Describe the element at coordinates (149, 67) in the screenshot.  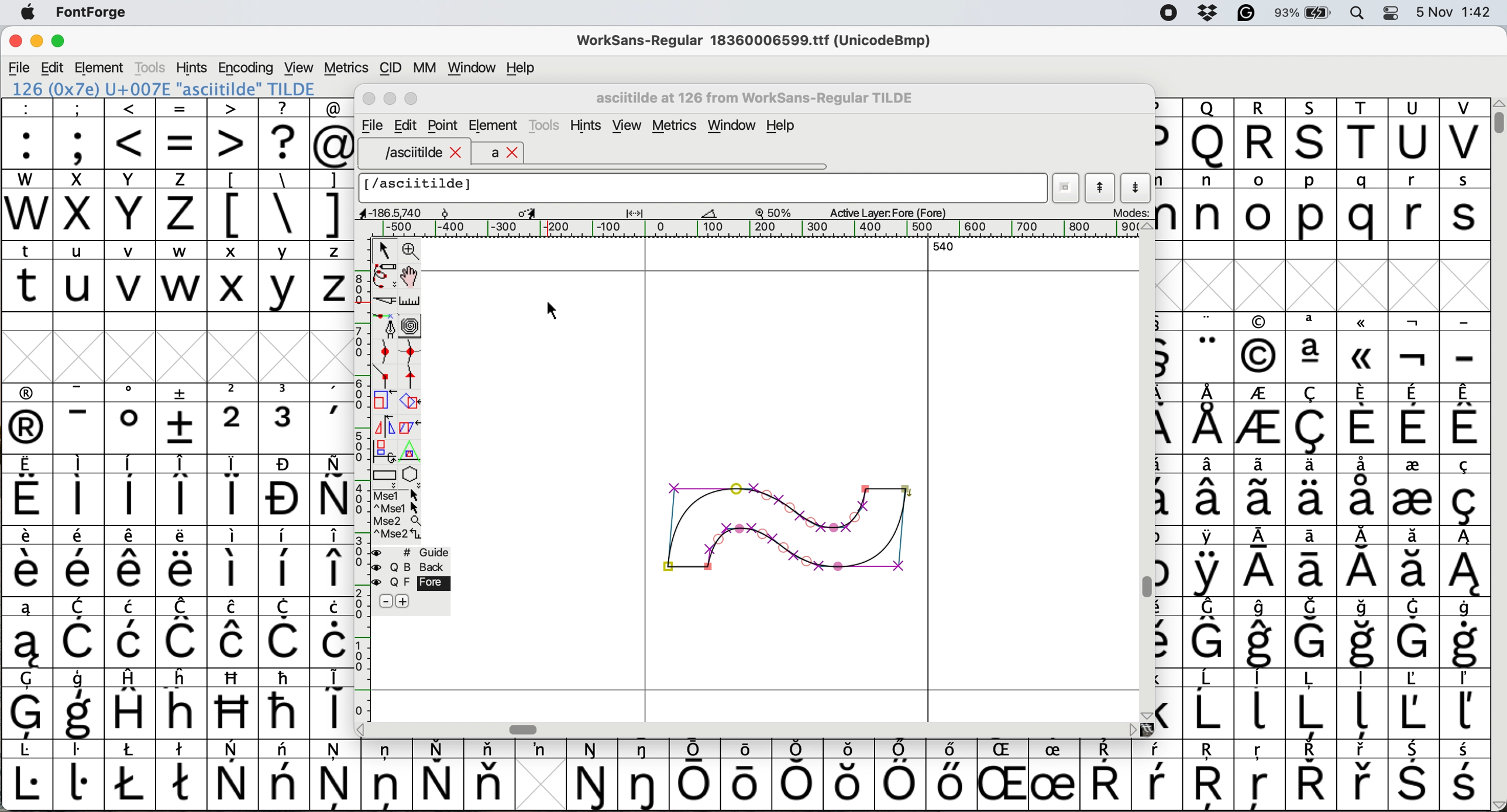
I see `tools` at that location.